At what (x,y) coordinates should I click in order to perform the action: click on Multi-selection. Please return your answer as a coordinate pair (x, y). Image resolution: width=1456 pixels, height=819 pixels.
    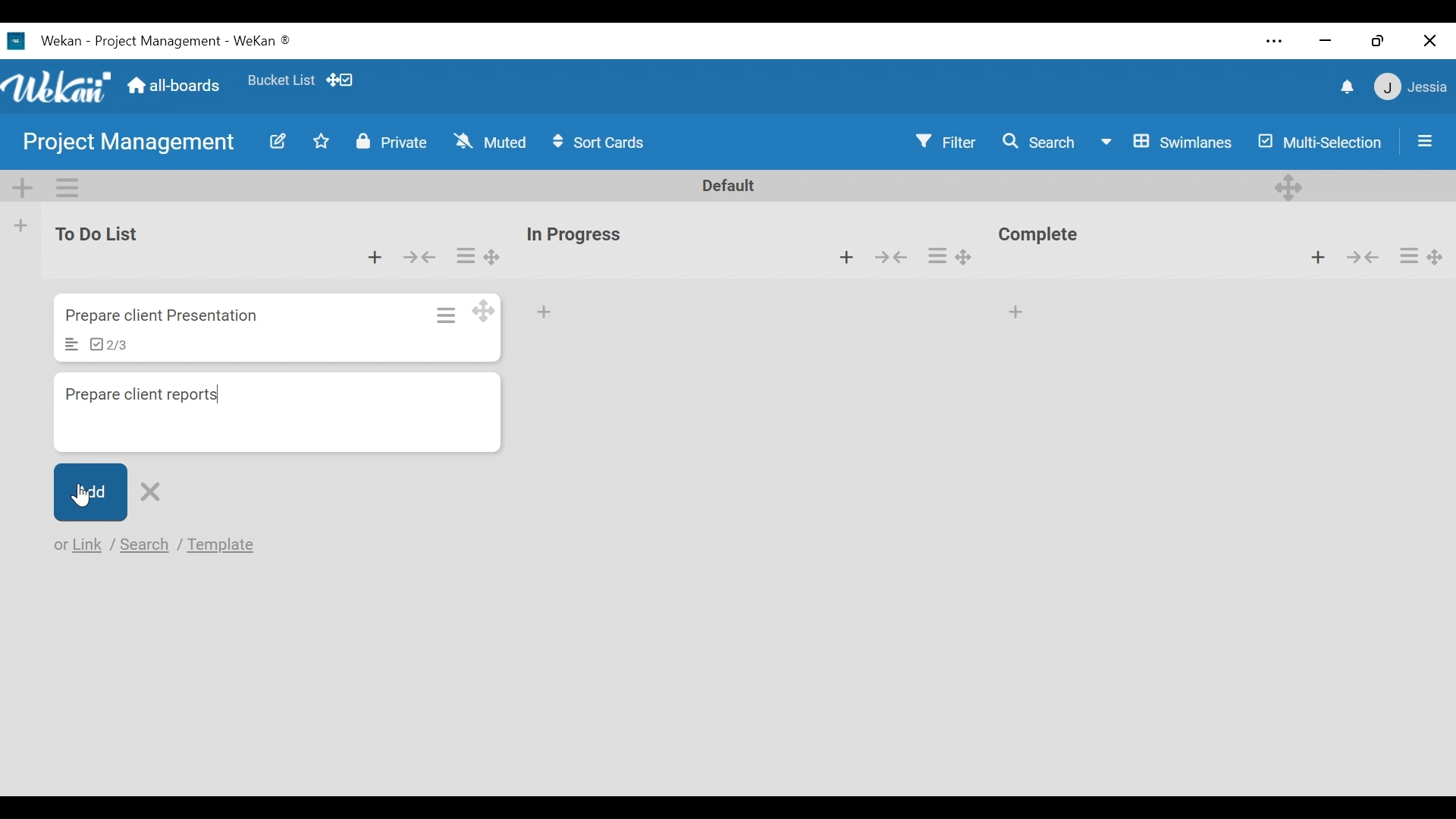
    Looking at the image, I should click on (1316, 141).